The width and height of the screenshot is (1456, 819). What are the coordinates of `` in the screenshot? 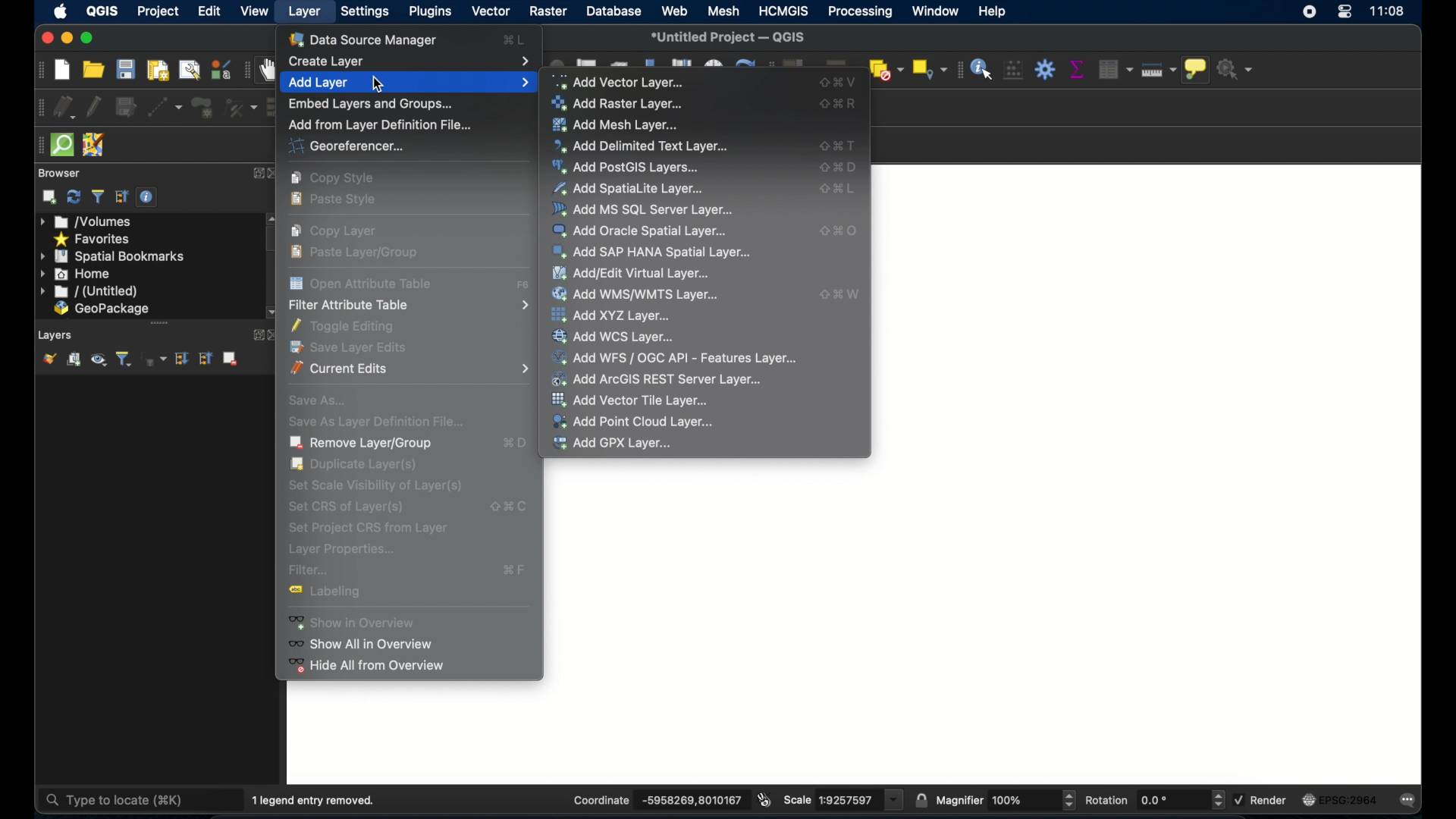 It's located at (839, 168).